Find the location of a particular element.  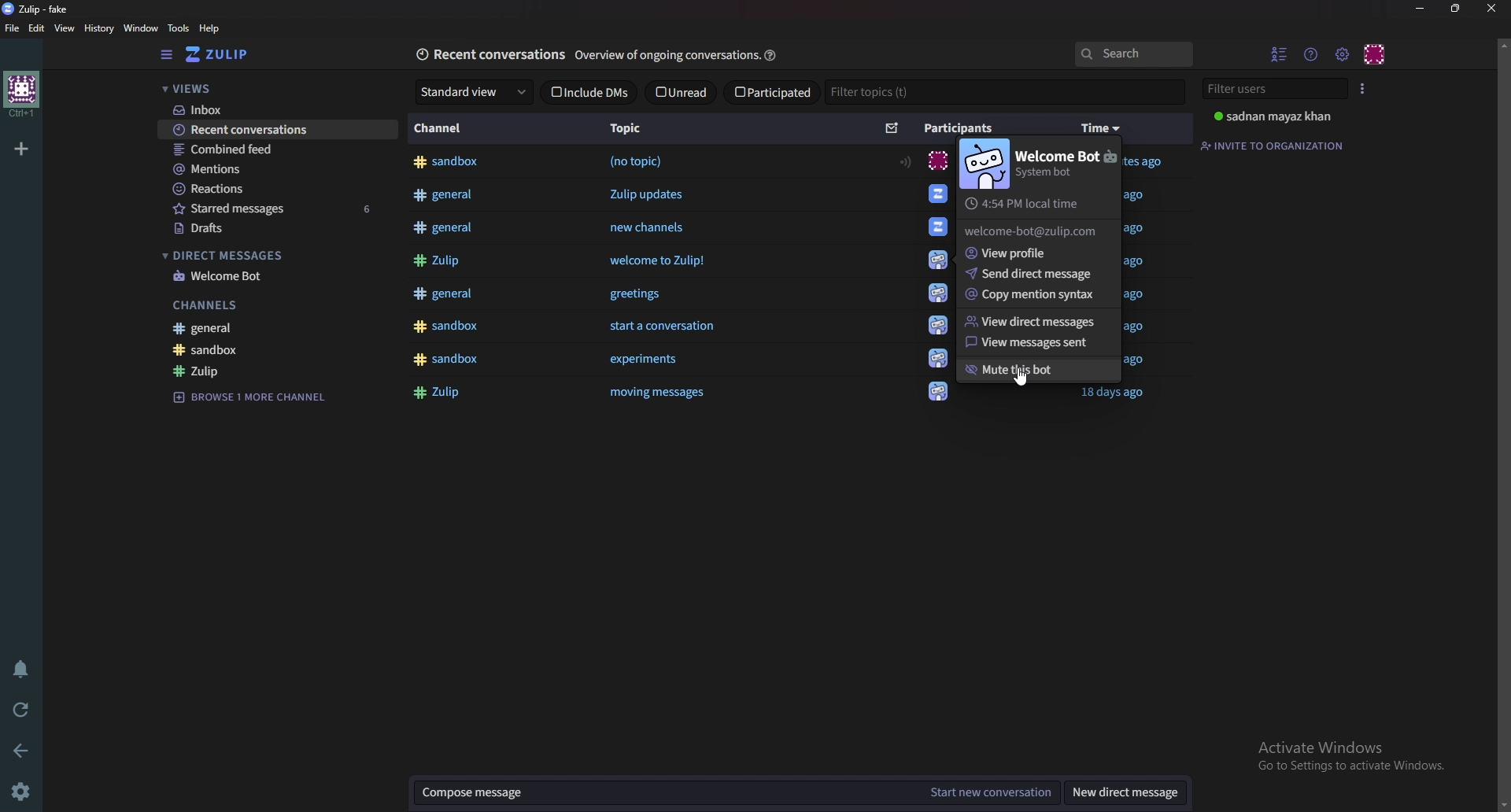

#sandbox is located at coordinates (447, 161).